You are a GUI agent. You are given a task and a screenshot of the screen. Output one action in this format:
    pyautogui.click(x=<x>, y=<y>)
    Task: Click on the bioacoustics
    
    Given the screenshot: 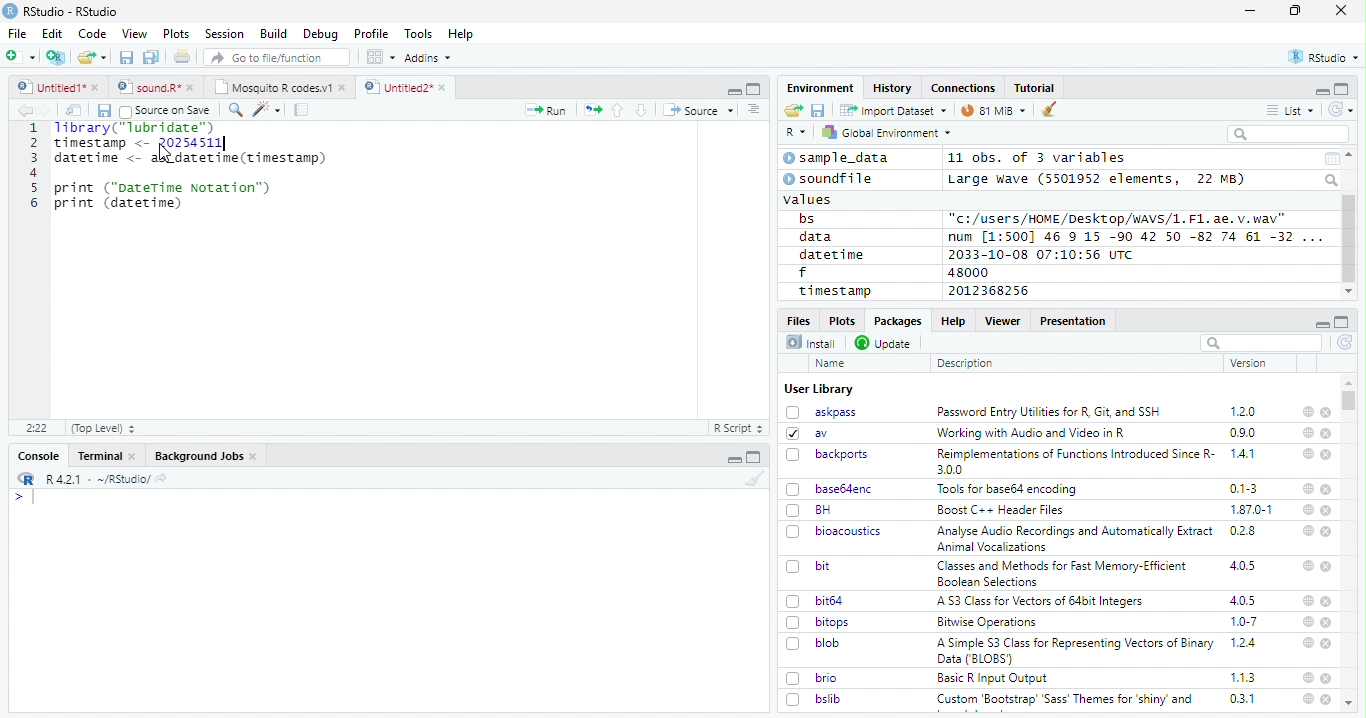 What is the action you would take?
    pyautogui.click(x=834, y=531)
    